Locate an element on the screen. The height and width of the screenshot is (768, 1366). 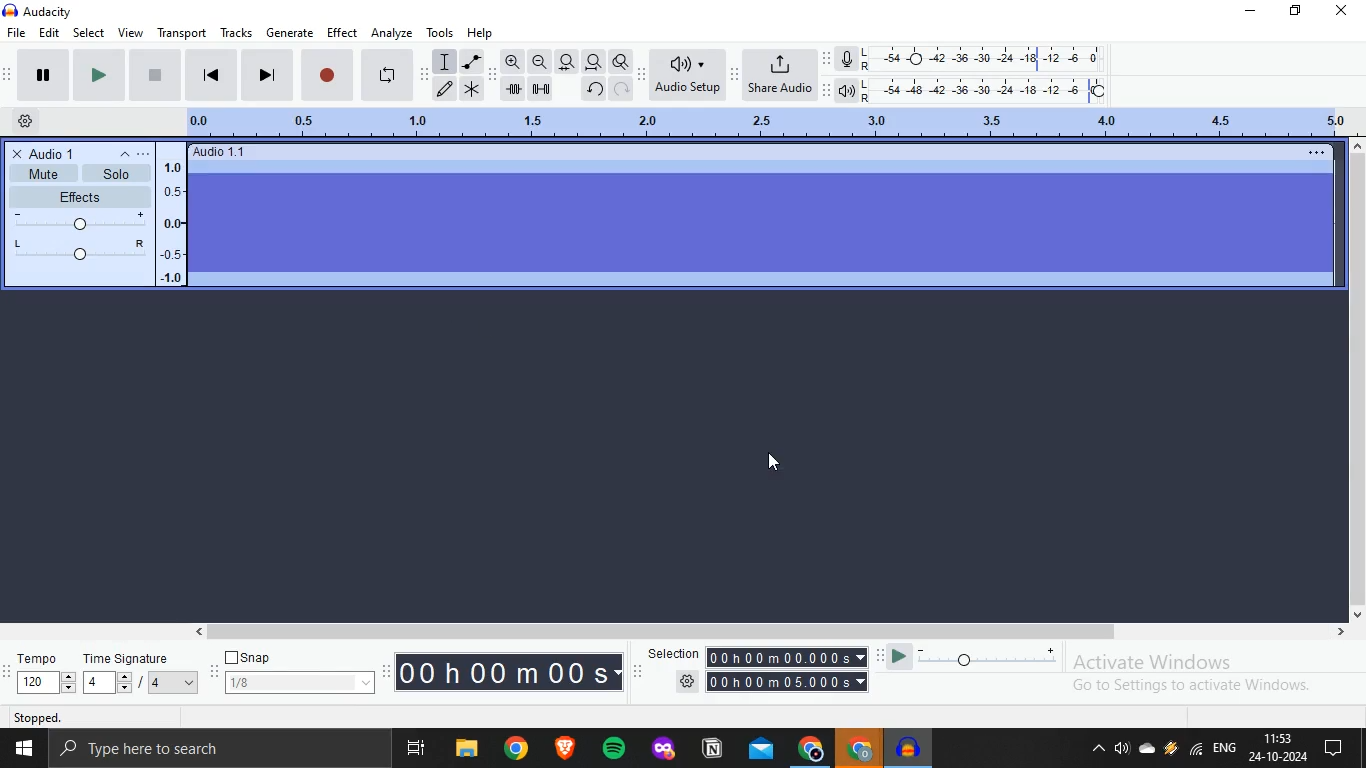
Caret is located at coordinates (120, 154).